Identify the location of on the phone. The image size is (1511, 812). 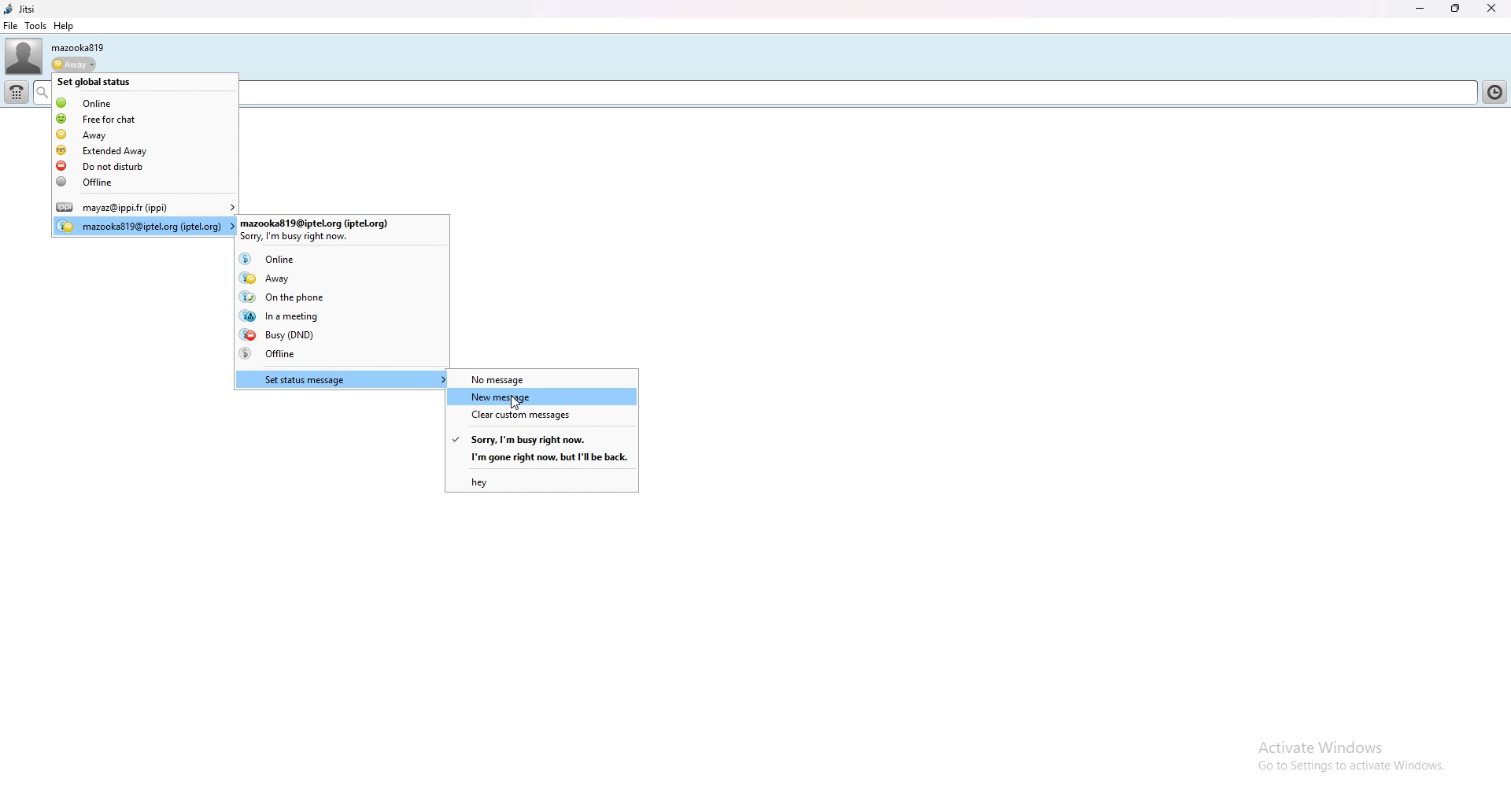
(337, 295).